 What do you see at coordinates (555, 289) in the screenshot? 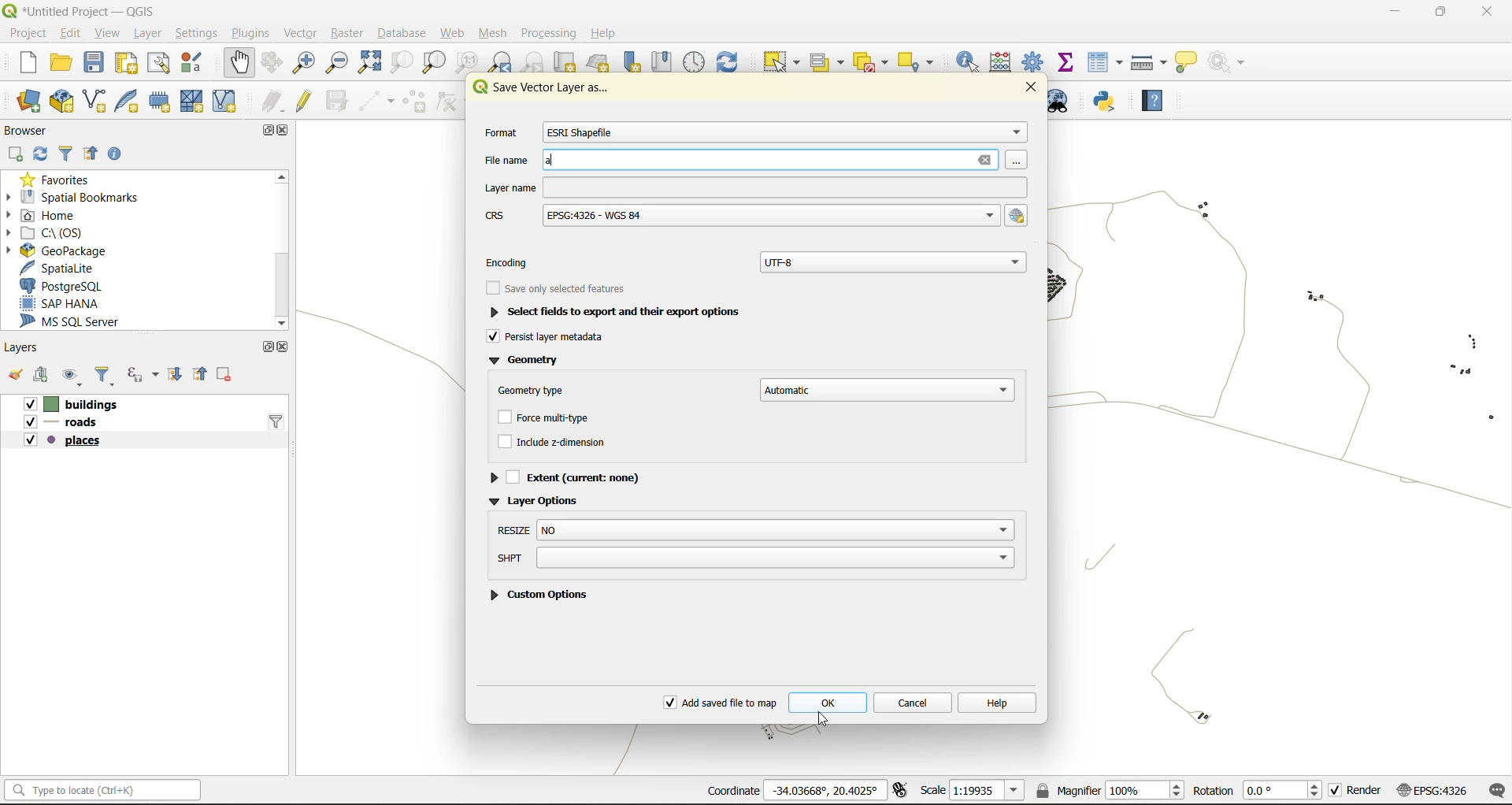
I see `Startonly selected functions` at bounding box center [555, 289].